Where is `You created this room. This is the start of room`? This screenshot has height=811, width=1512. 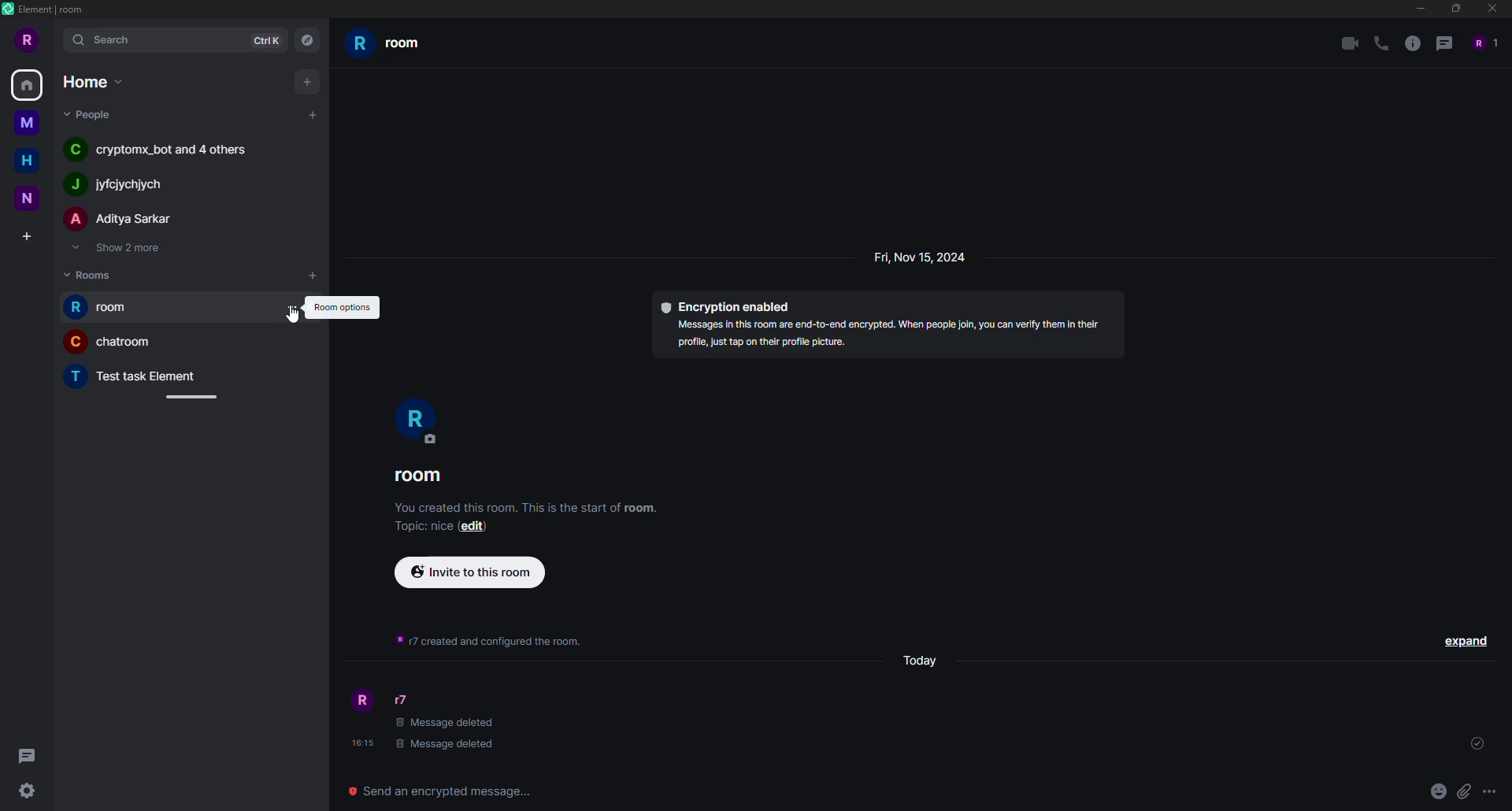
You created this room. This is the start of room is located at coordinates (503, 505).